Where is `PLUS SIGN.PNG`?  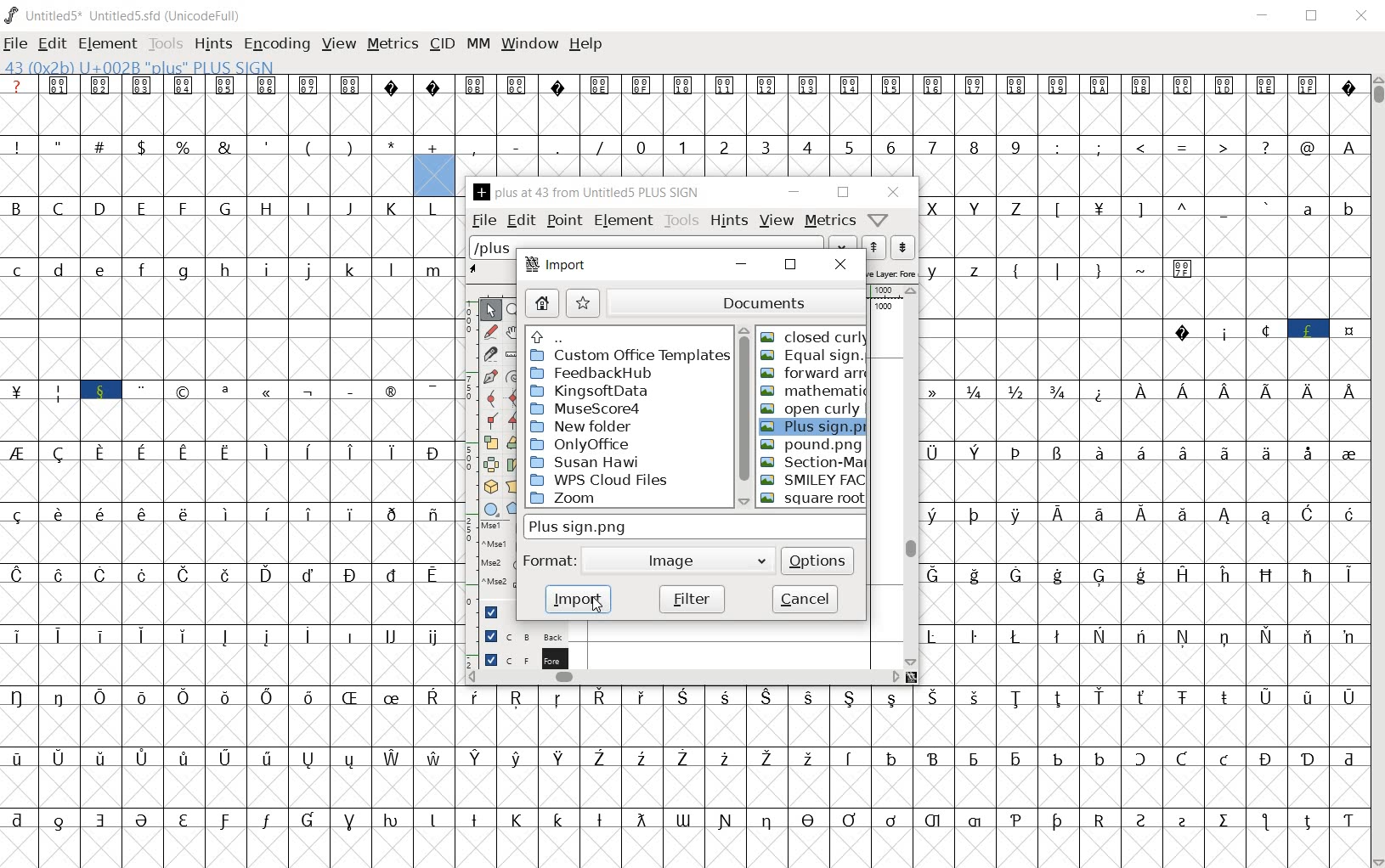 PLUS SIGN.PNG is located at coordinates (813, 428).